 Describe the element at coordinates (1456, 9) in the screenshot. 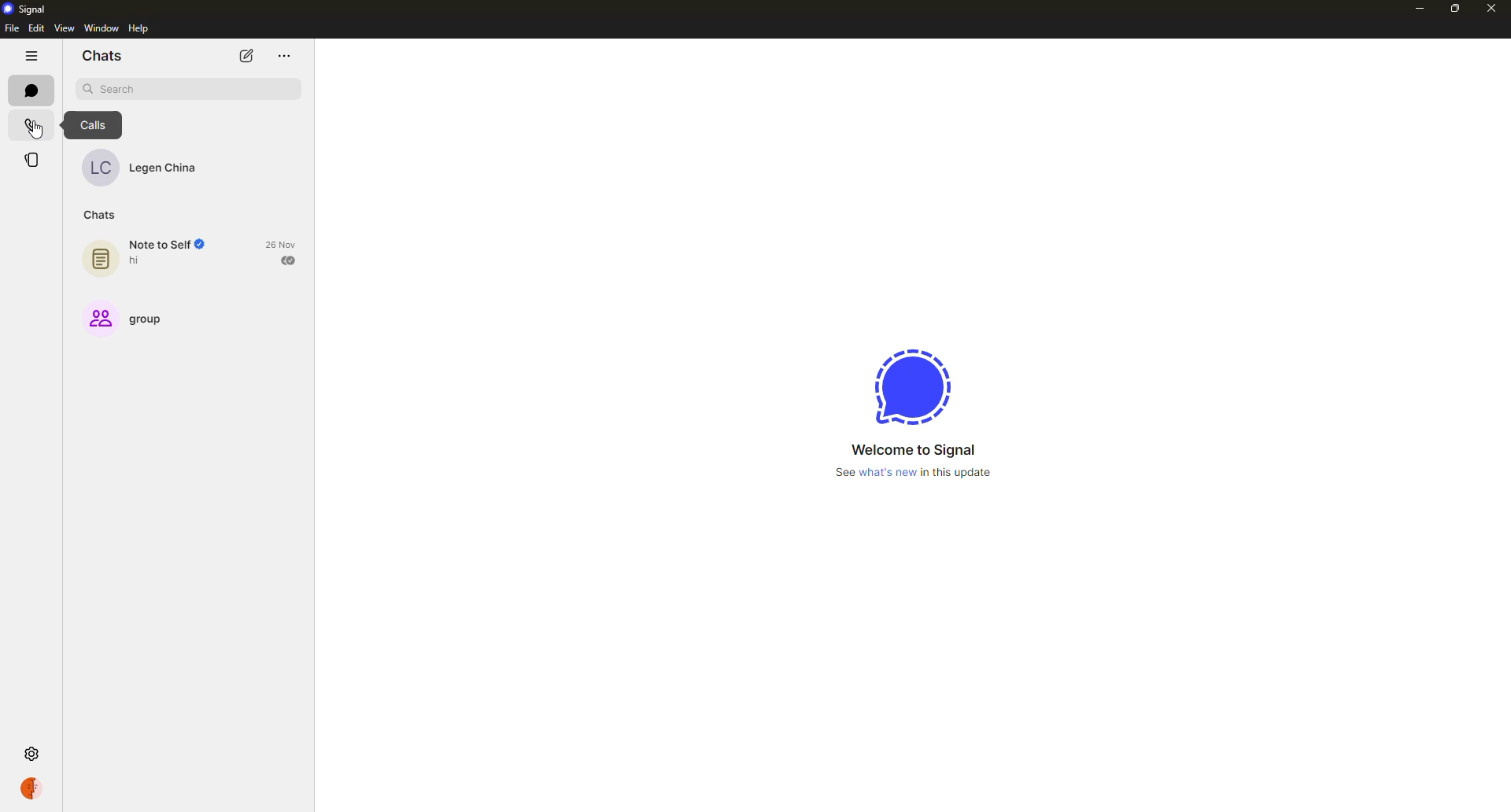

I see `maximize` at that location.